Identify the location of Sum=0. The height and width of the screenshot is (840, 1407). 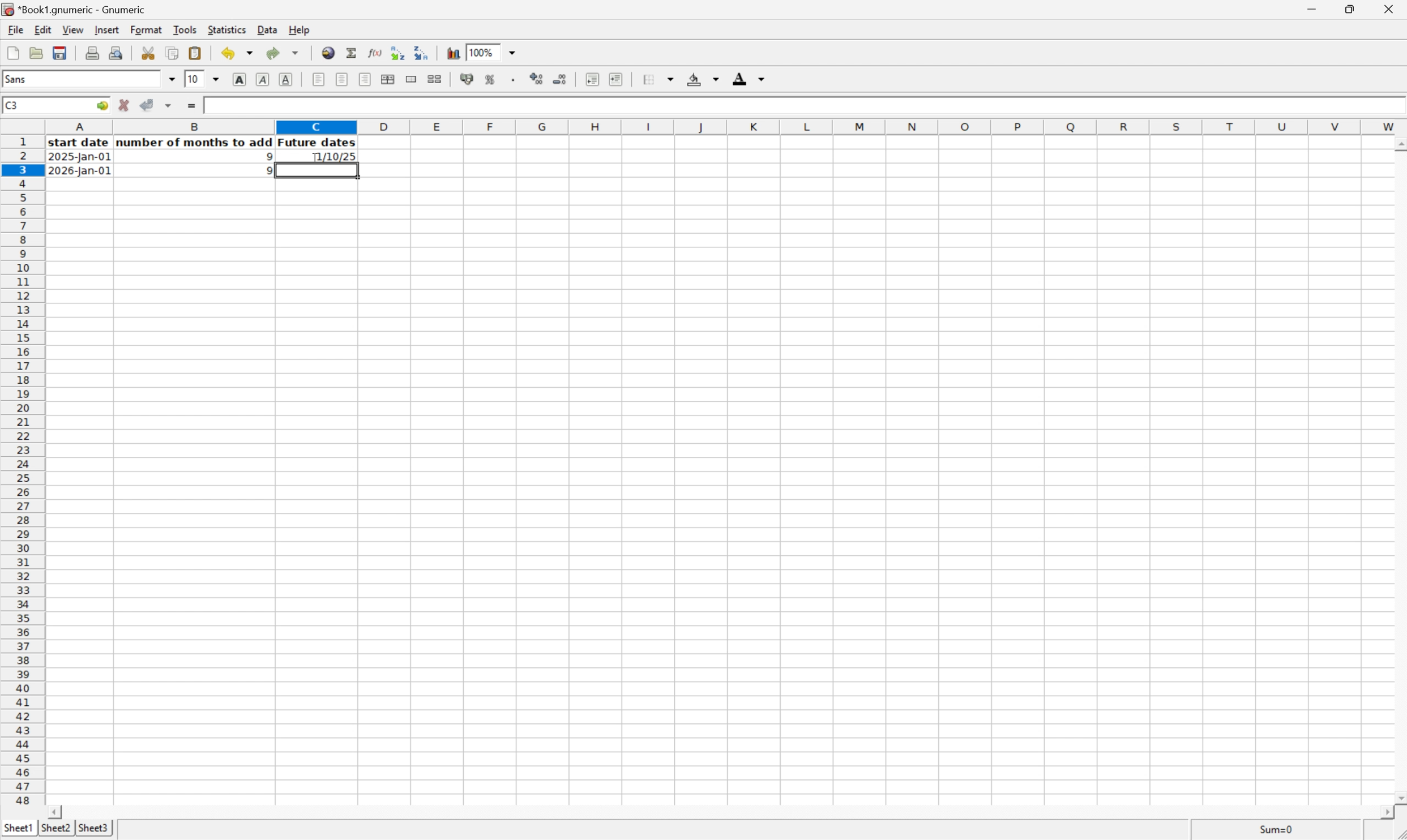
(1278, 829).